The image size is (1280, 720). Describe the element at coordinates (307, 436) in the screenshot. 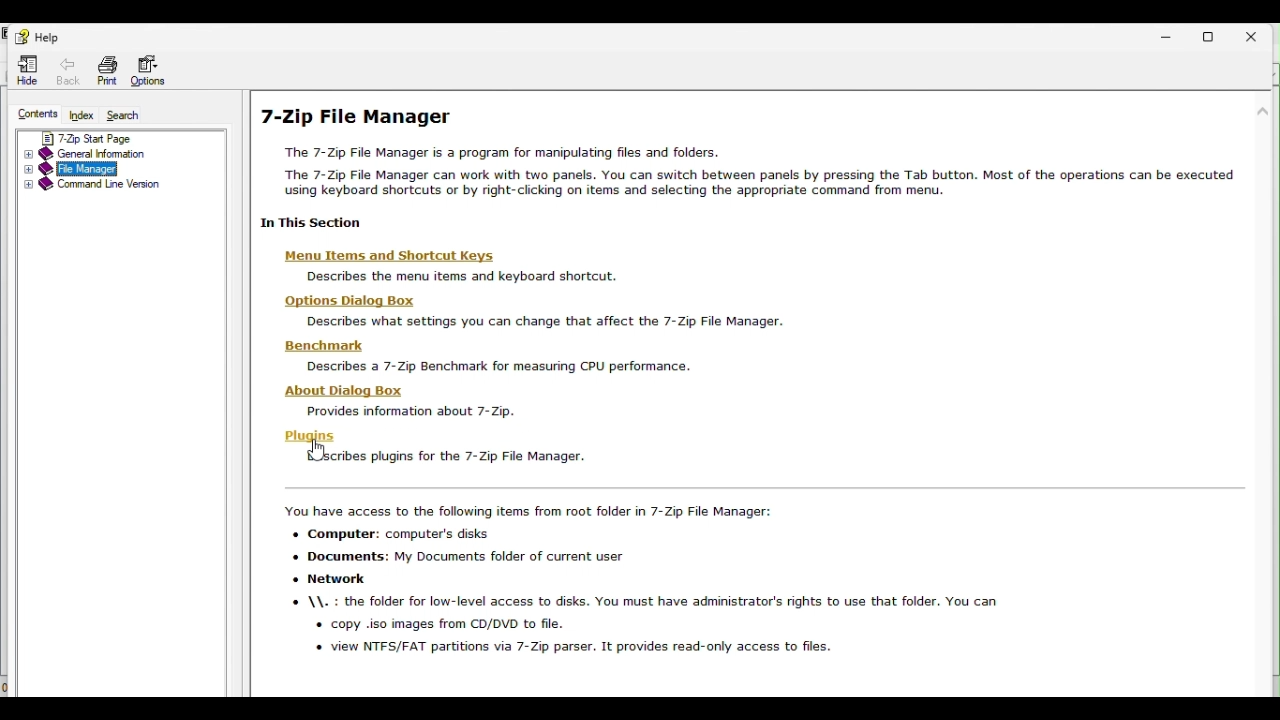

I see `plugins` at that location.